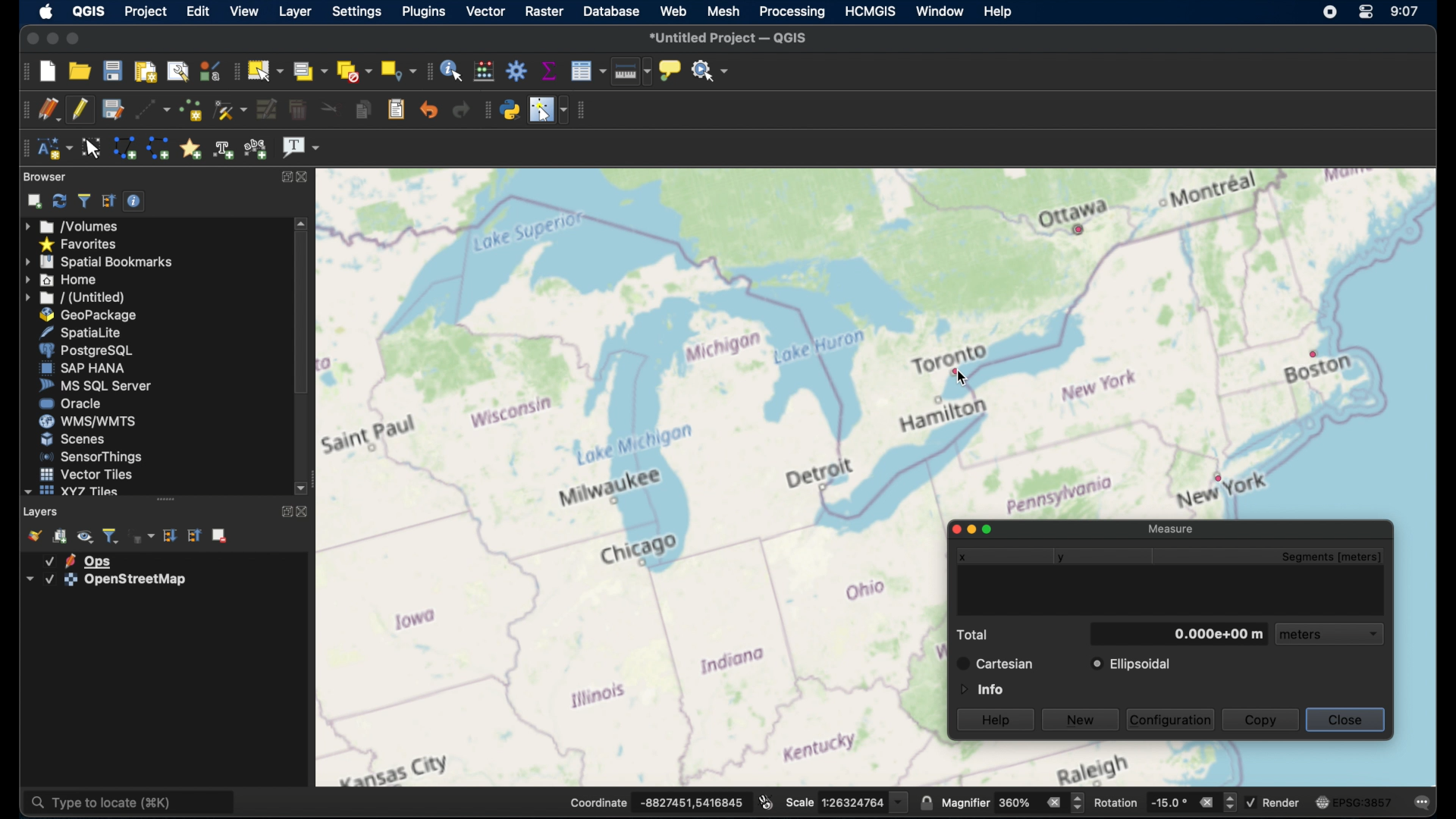 The image size is (1456, 819). I want to click on total, so click(971, 635).